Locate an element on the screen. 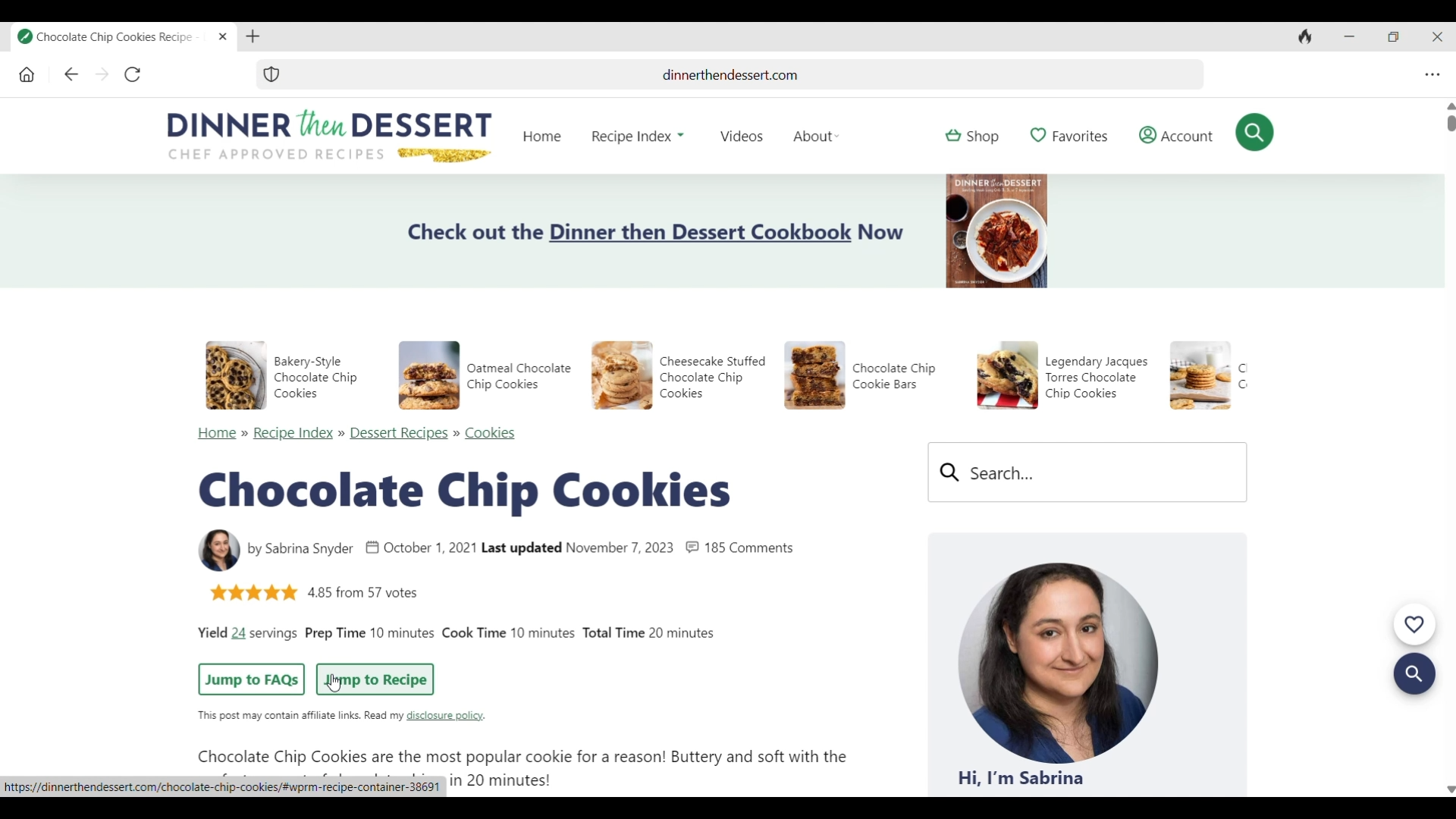  4.85 from 57 votes is located at coordinates (363, 592).